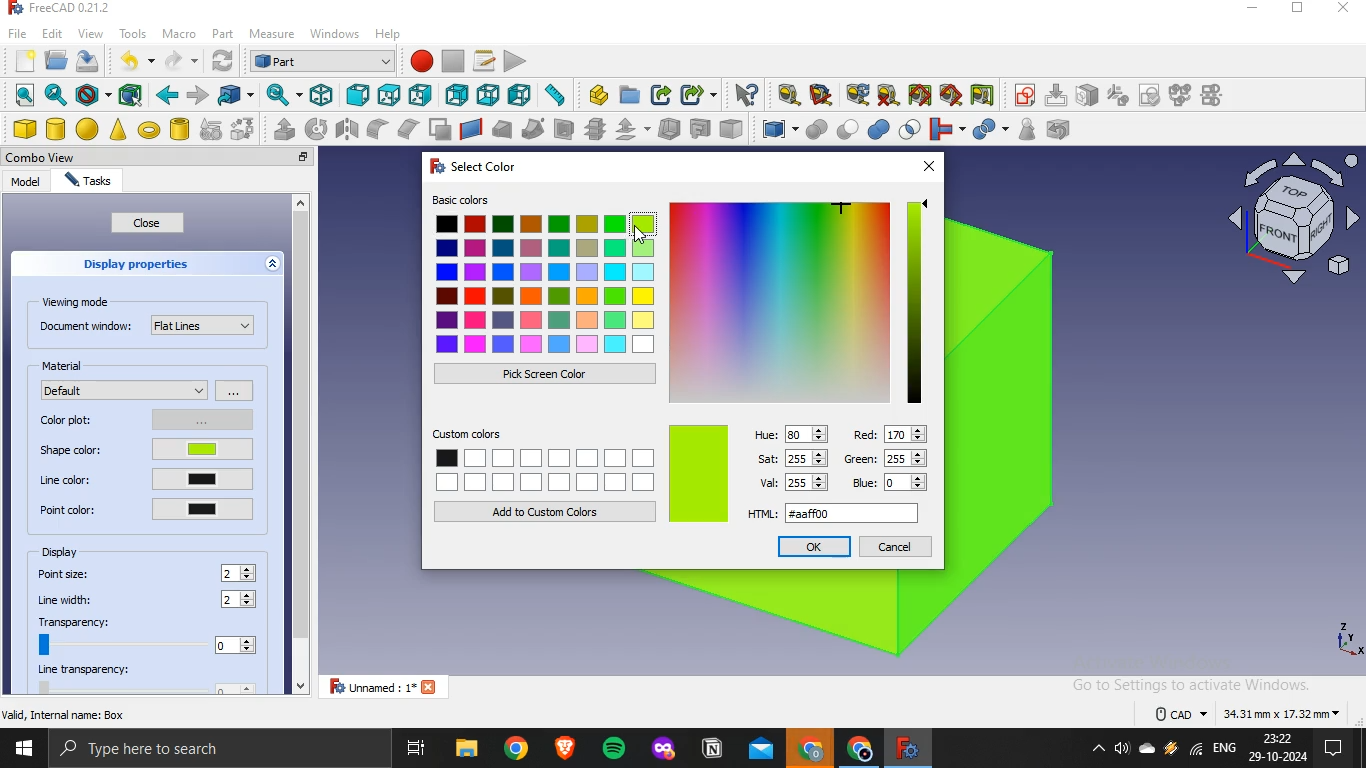 This screenshot has width=1366, height=768. I want to click on default, so click(125, 389).